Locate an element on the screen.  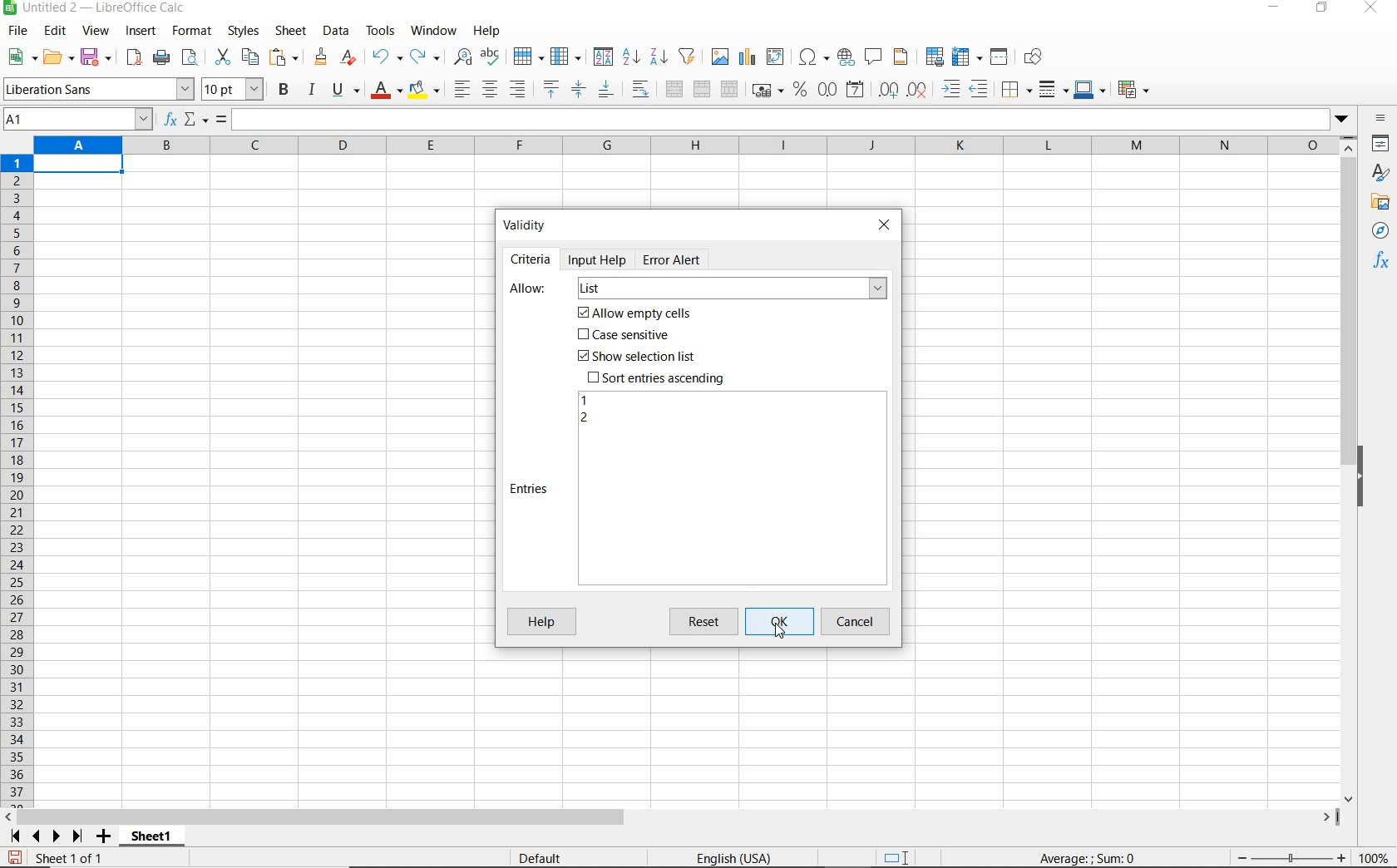
scroll next is located at coordinates (42, 836).